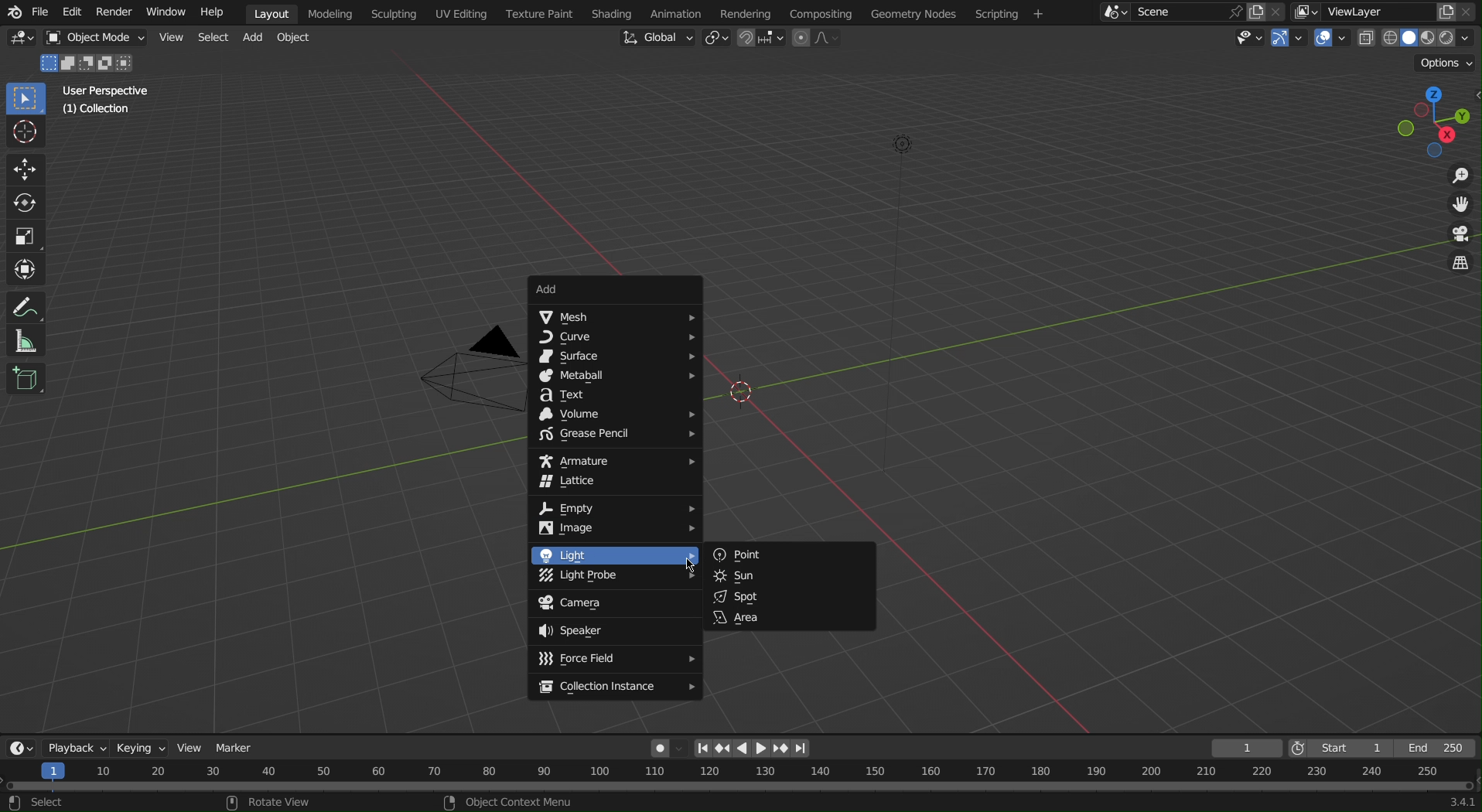  I want to click on Move, so click(26, 169).